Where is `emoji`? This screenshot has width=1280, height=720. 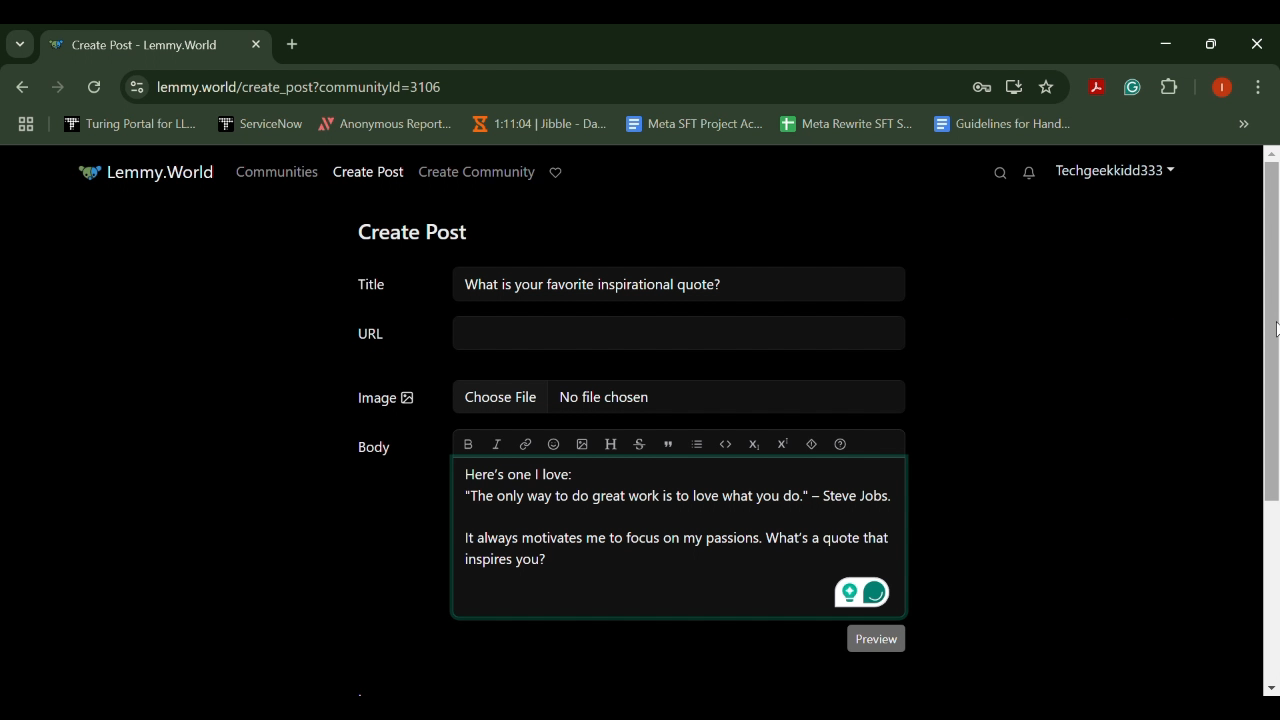 emoji is located at coordinates (552, 444).